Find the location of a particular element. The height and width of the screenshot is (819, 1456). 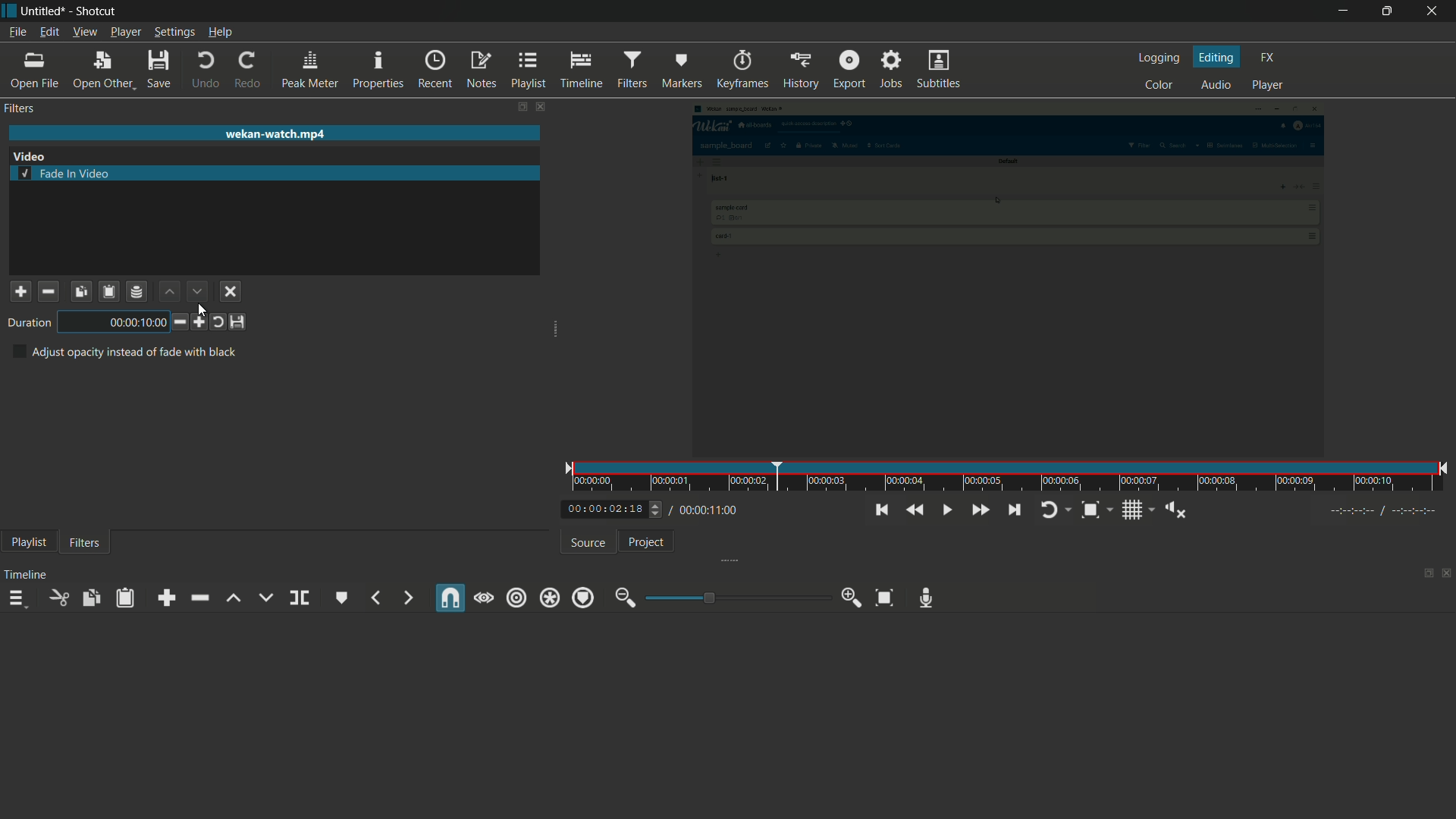

subtitles is located at coordinates (940, 70).